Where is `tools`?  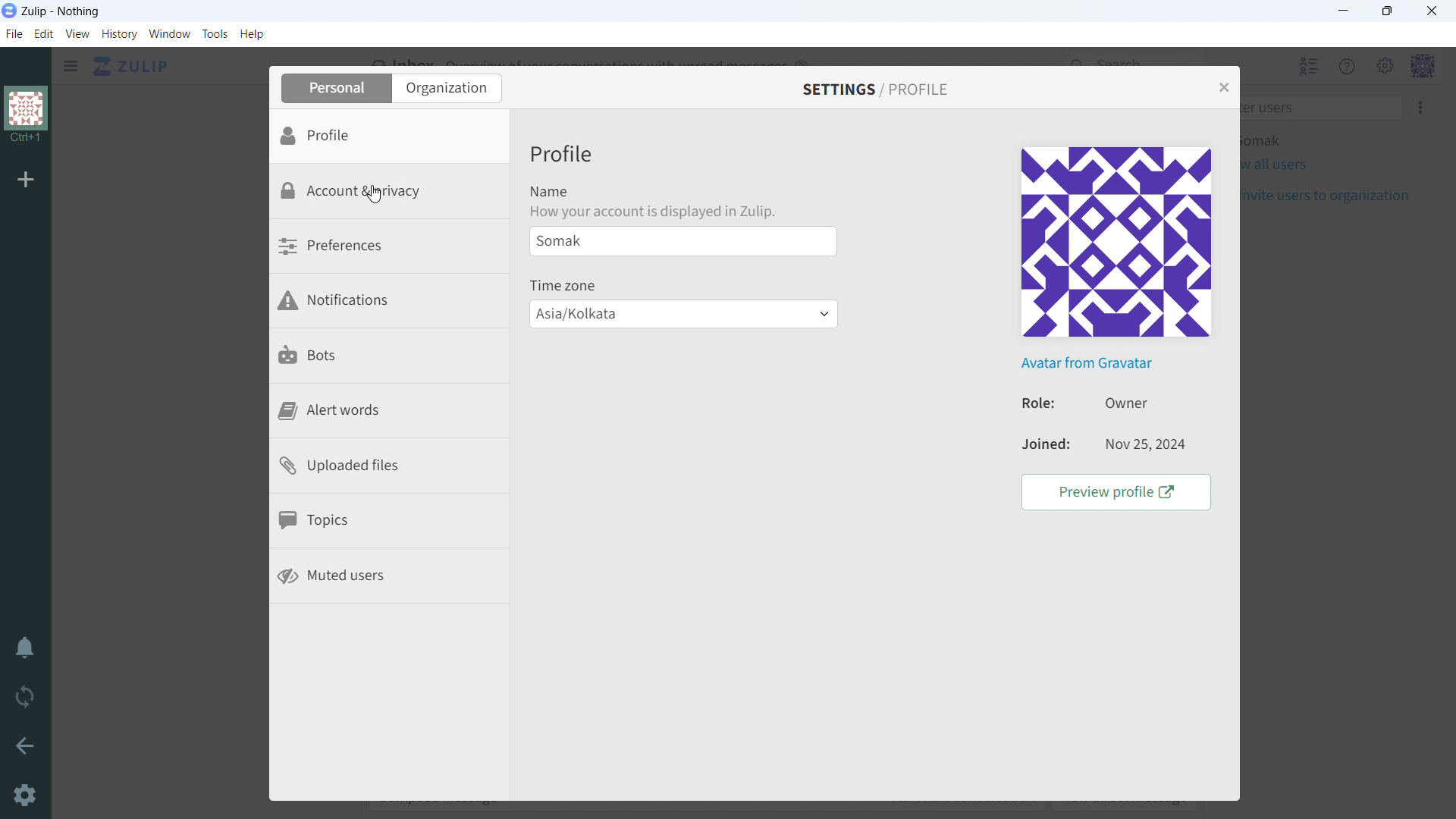
tools is located at coordinates (215, 33).